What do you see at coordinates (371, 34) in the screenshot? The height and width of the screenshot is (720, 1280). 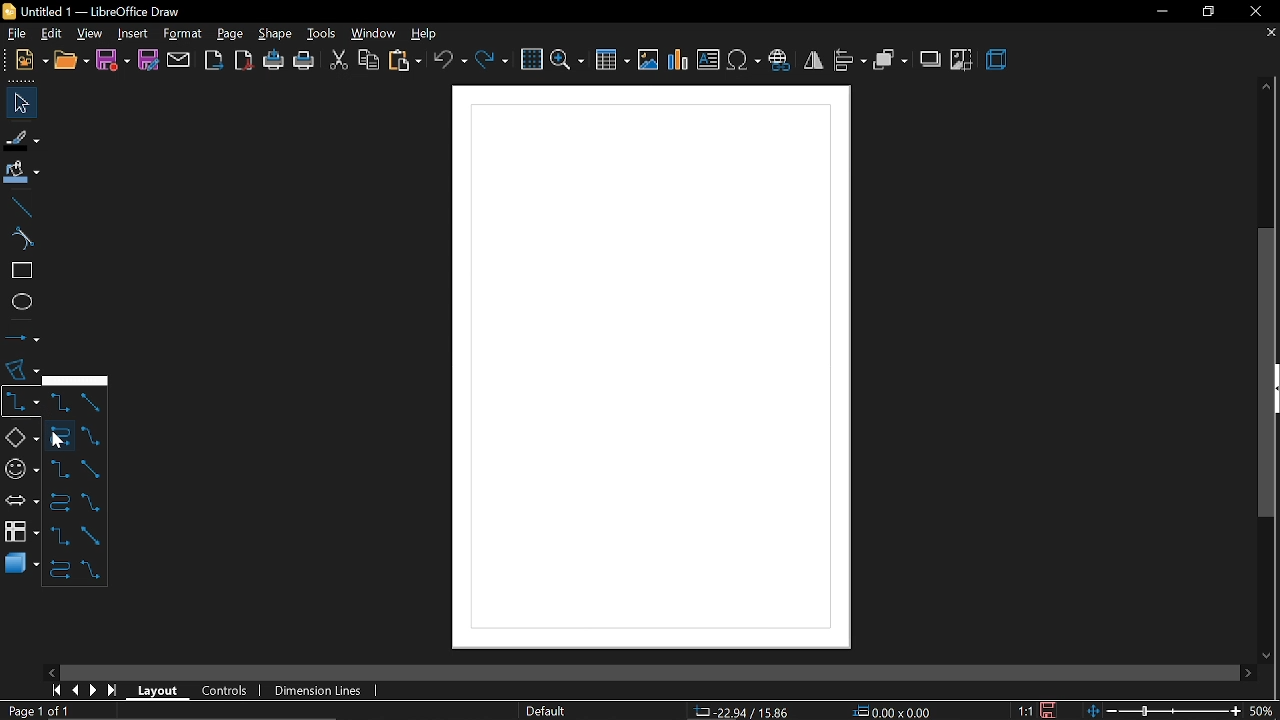 I see `window` at bounding box center [371, 34].